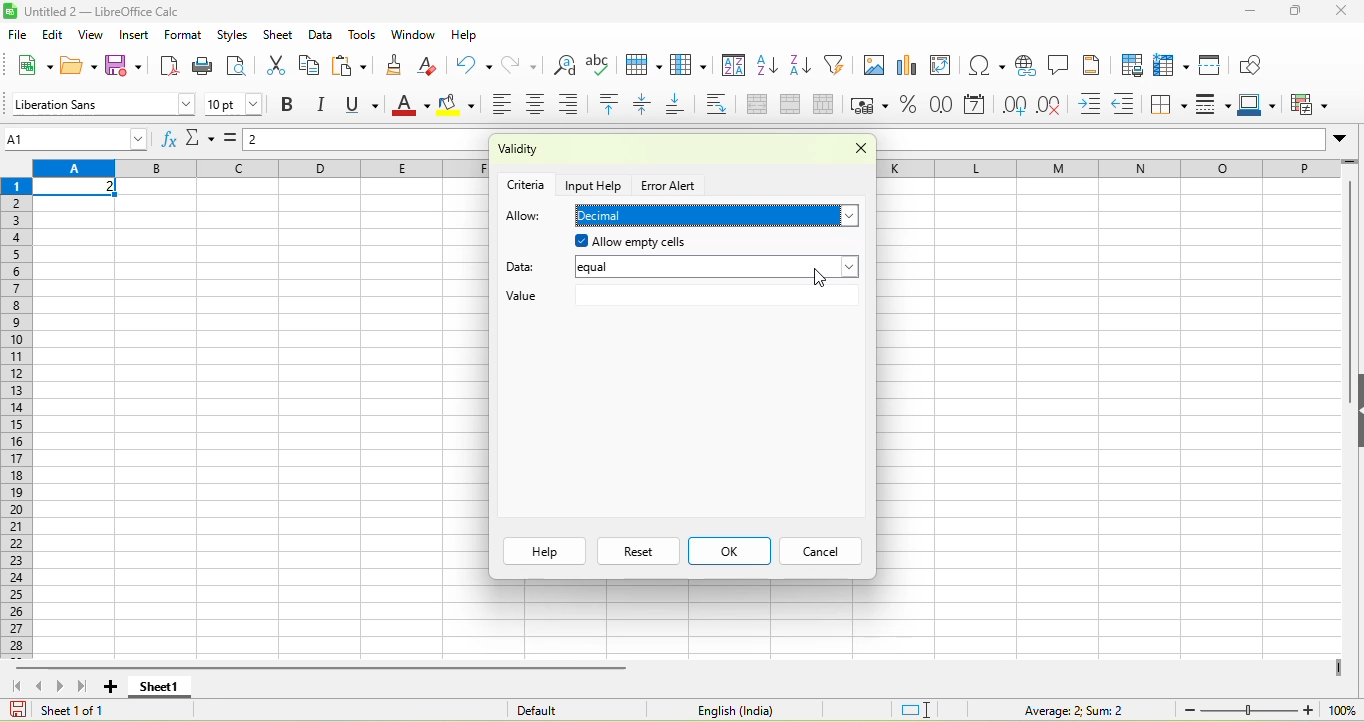 The image size is (1364, 722). I want to click on styles, so click(231, 33).